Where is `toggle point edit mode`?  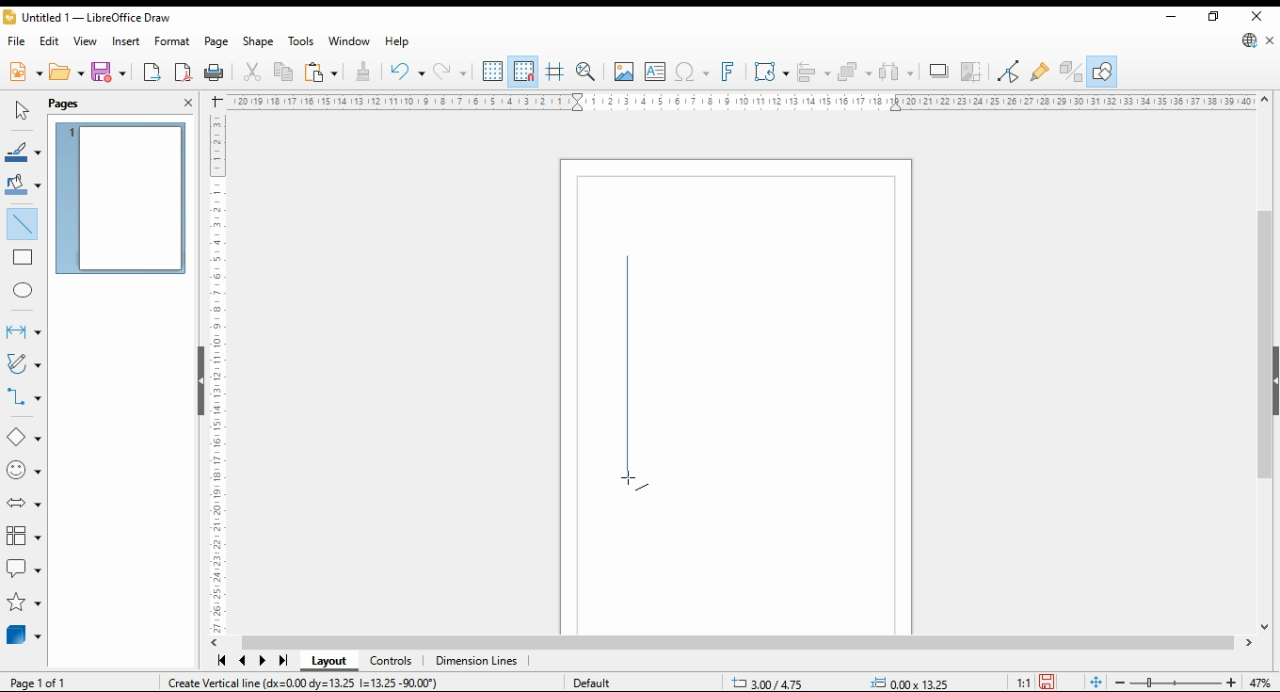 toggle point edit mode is located at coordinates (1010, 69).